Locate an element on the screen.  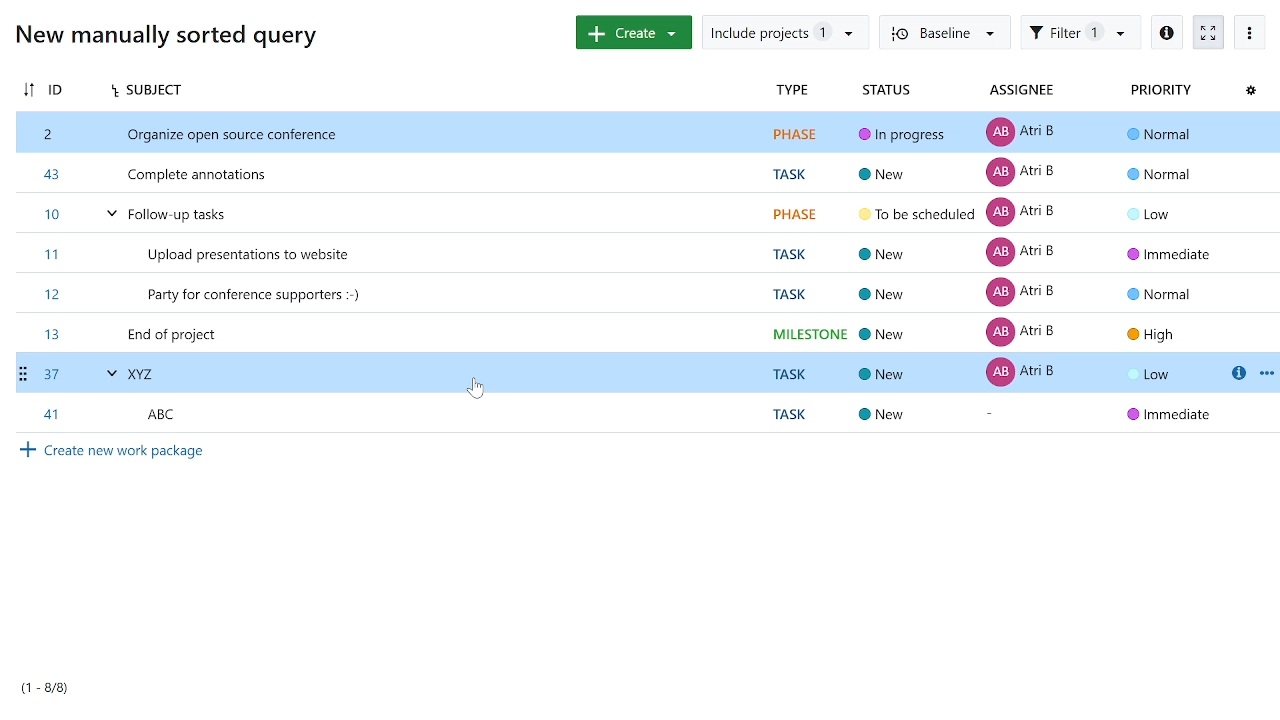
more options is located at coordinates (1251, 31).